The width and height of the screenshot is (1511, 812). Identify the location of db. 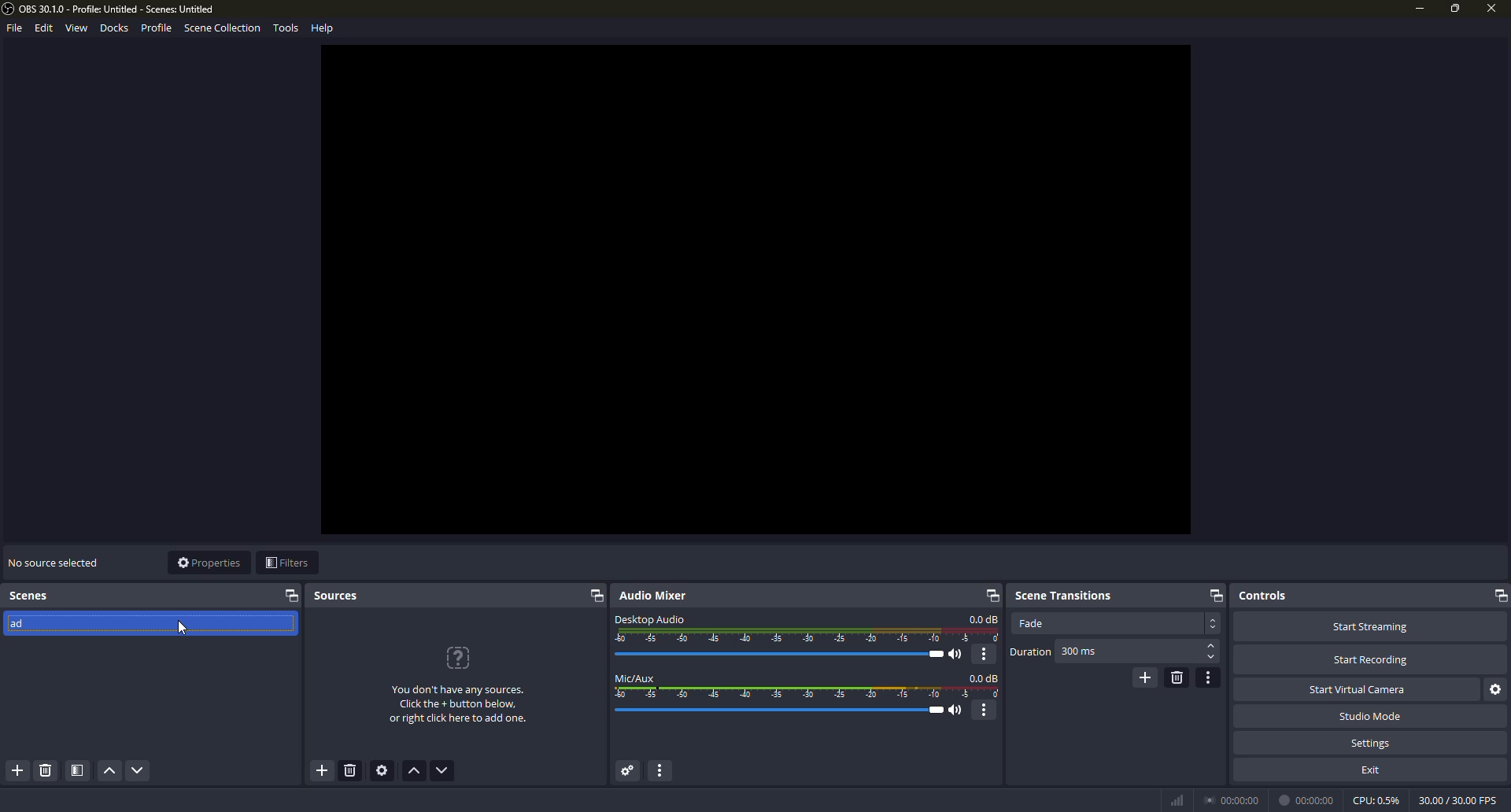
(985, 677).